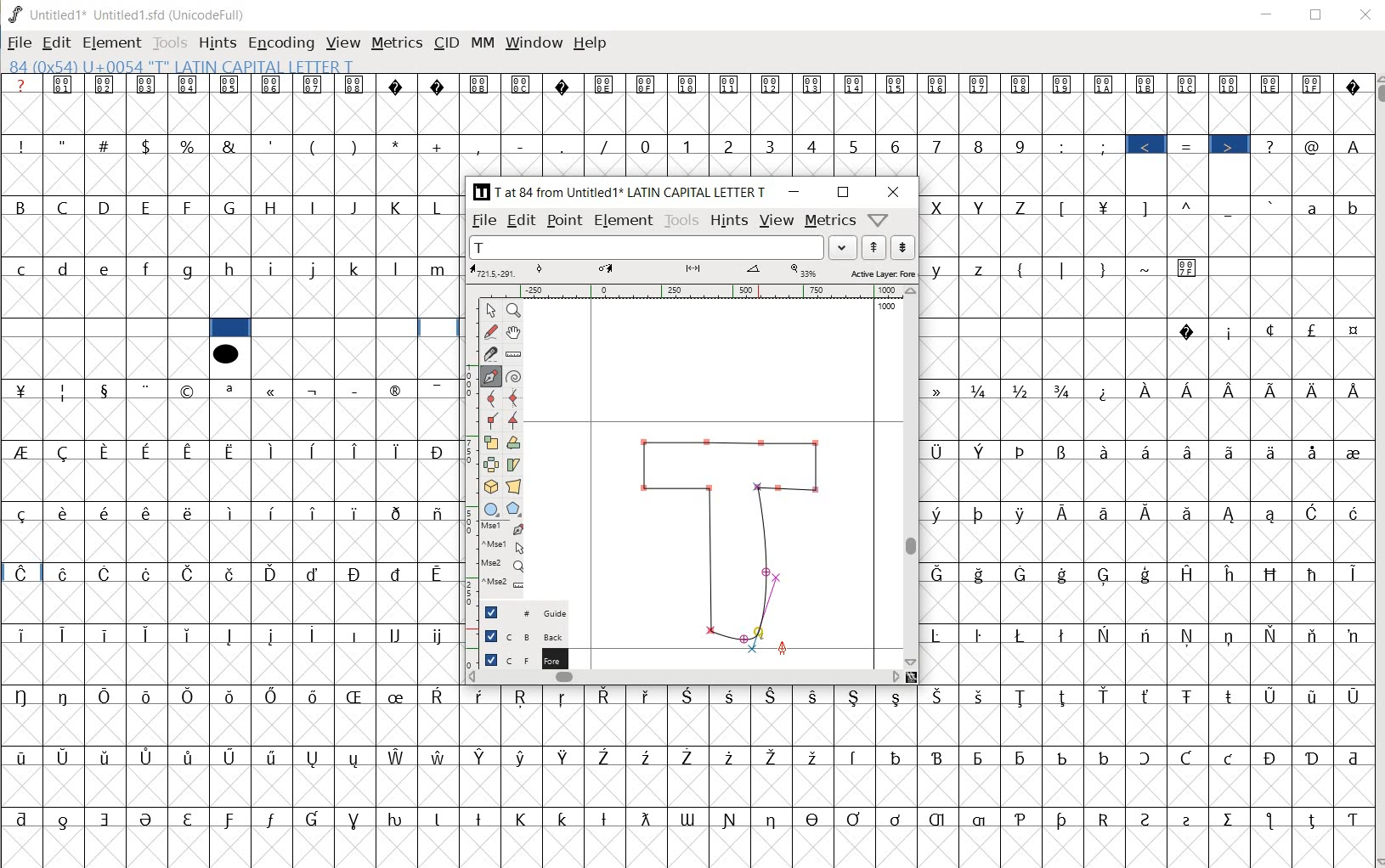  What do you see at coordinates (1189, 84) in the screenshot?
I see `Symbol` at bounding box center [1189, 84].